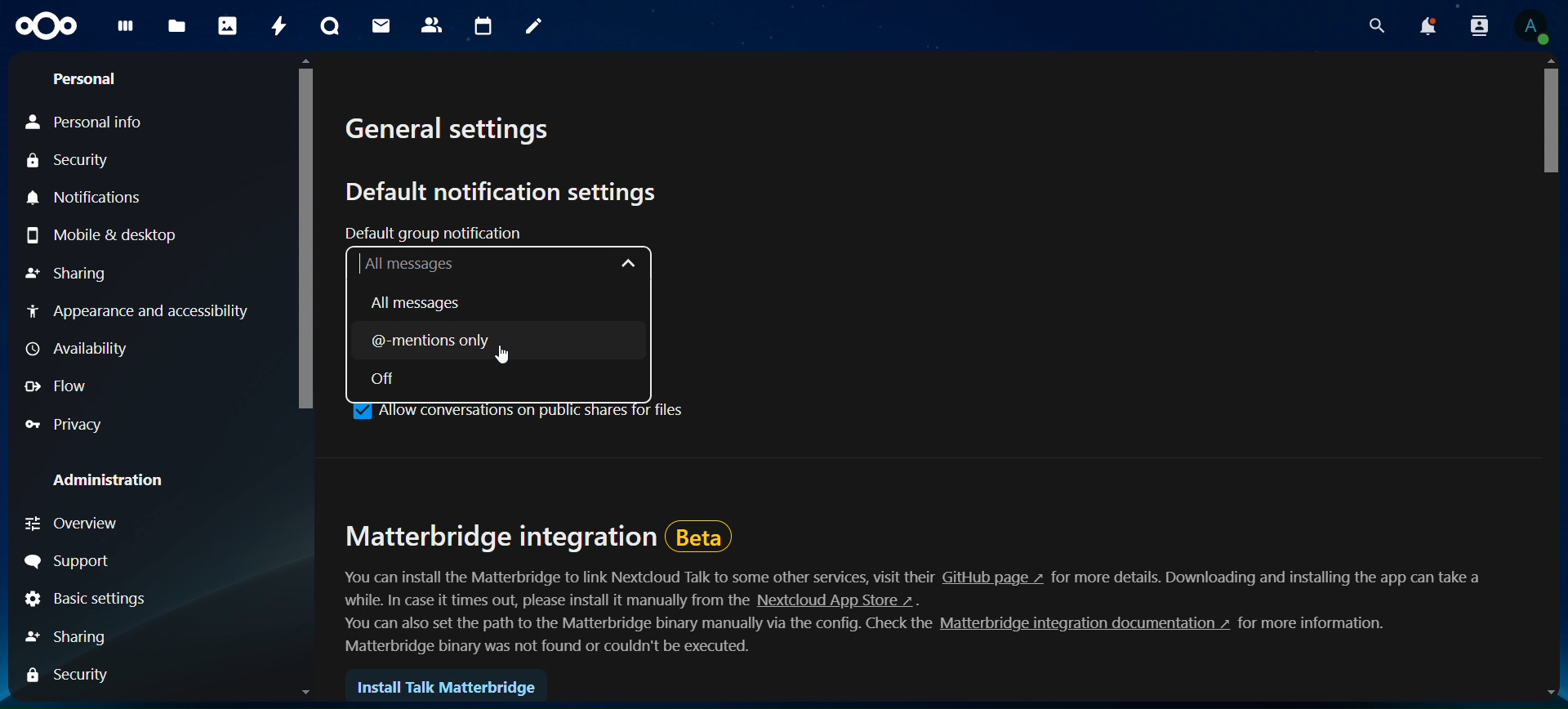  I want to click on privacy, so click(70, 423).